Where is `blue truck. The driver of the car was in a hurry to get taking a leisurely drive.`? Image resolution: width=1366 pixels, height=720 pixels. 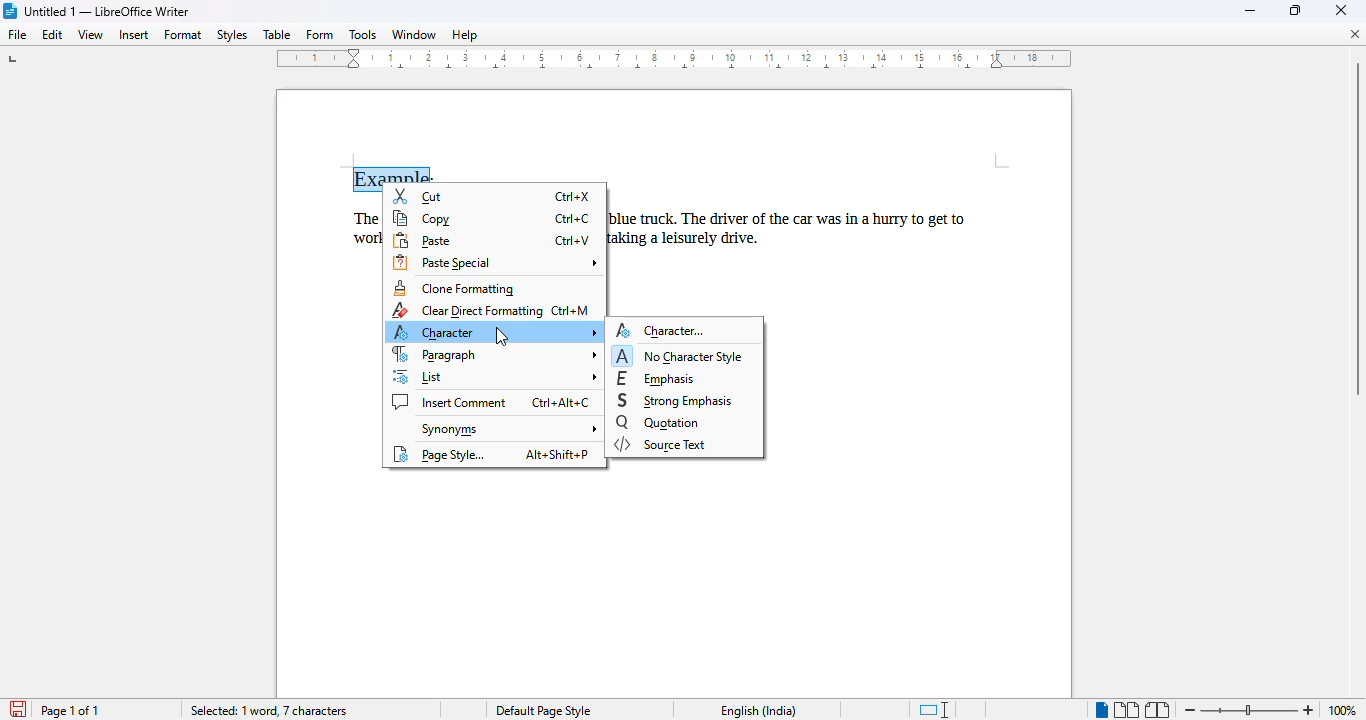
blue truck. The driver of the car was in a hurry to get taking a leisurely drive. is located at coordinates (803, 229).